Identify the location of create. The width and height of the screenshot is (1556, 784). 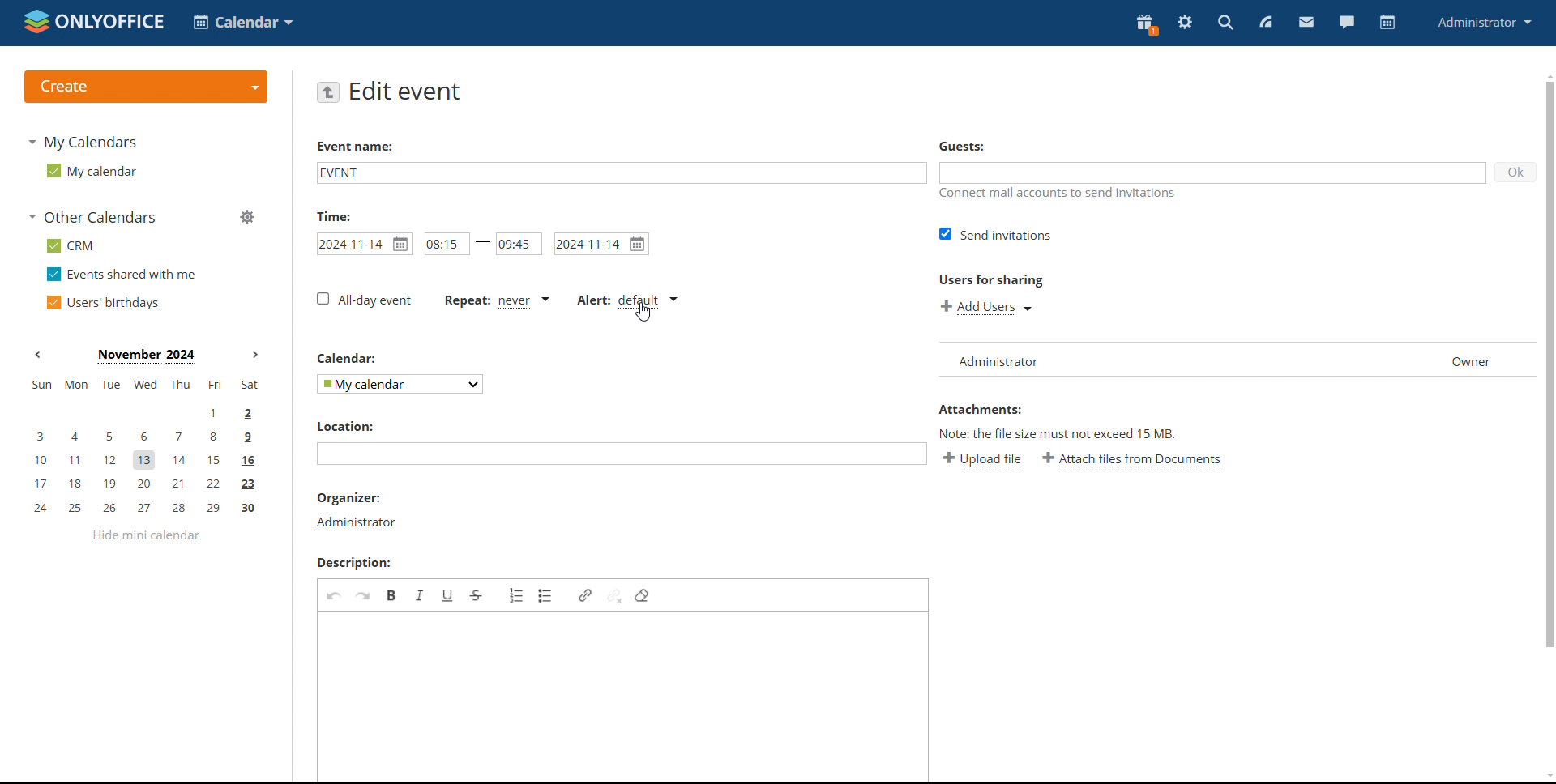
(145, 88).